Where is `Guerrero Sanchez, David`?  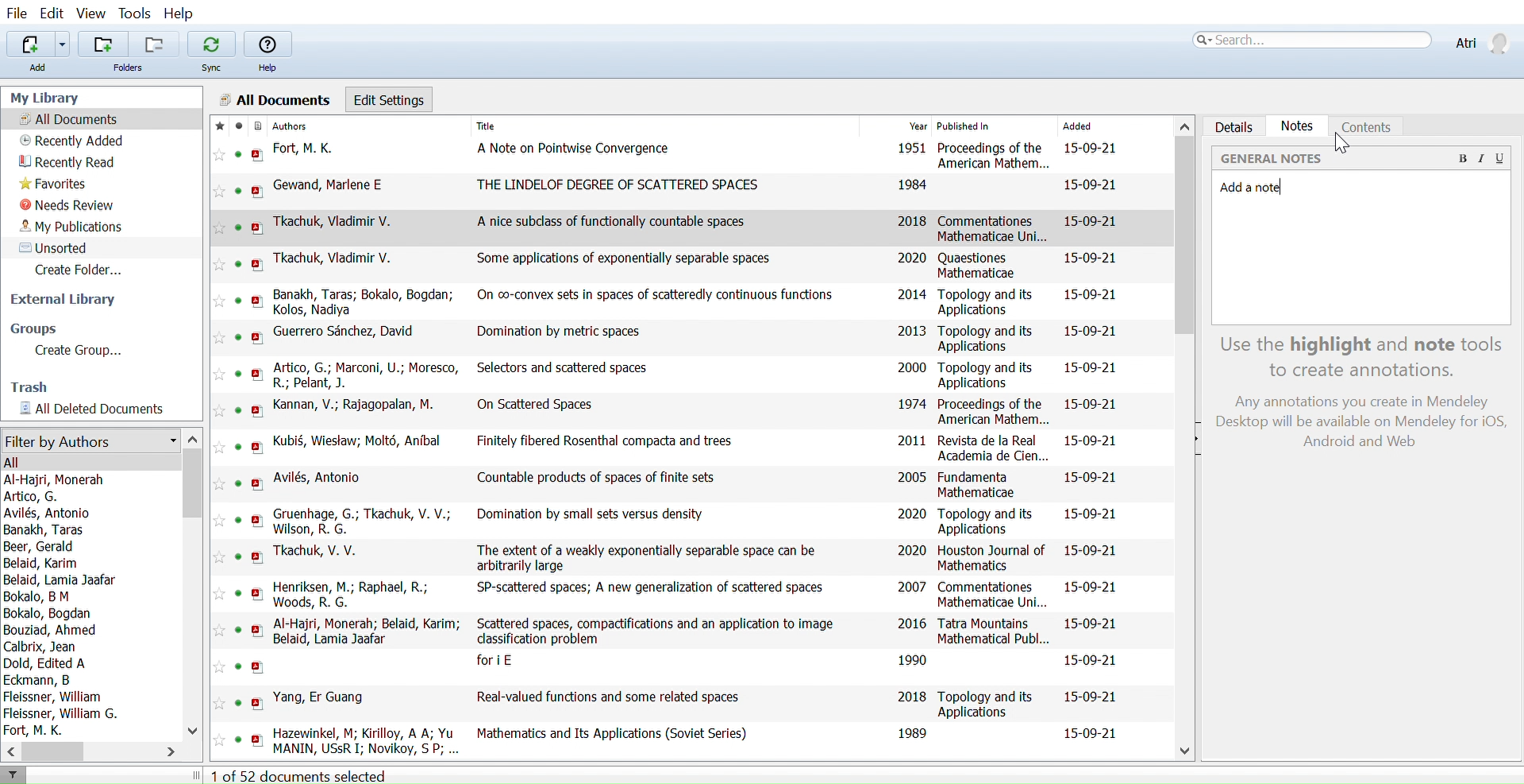 Guerrero Sanchez, David is located at coordinates (347, 332).